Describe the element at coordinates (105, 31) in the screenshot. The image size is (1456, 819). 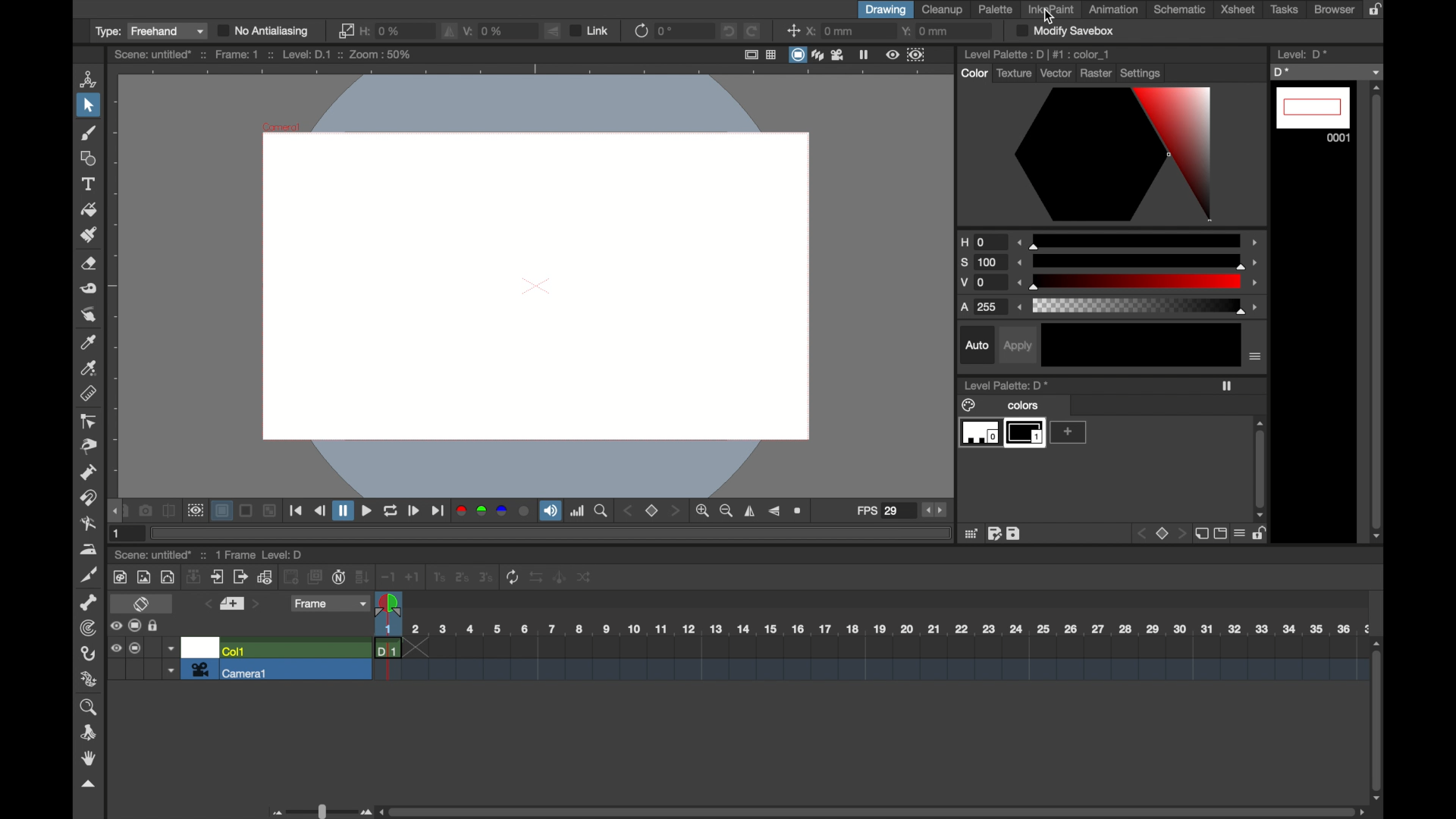
I see `type` at that location.